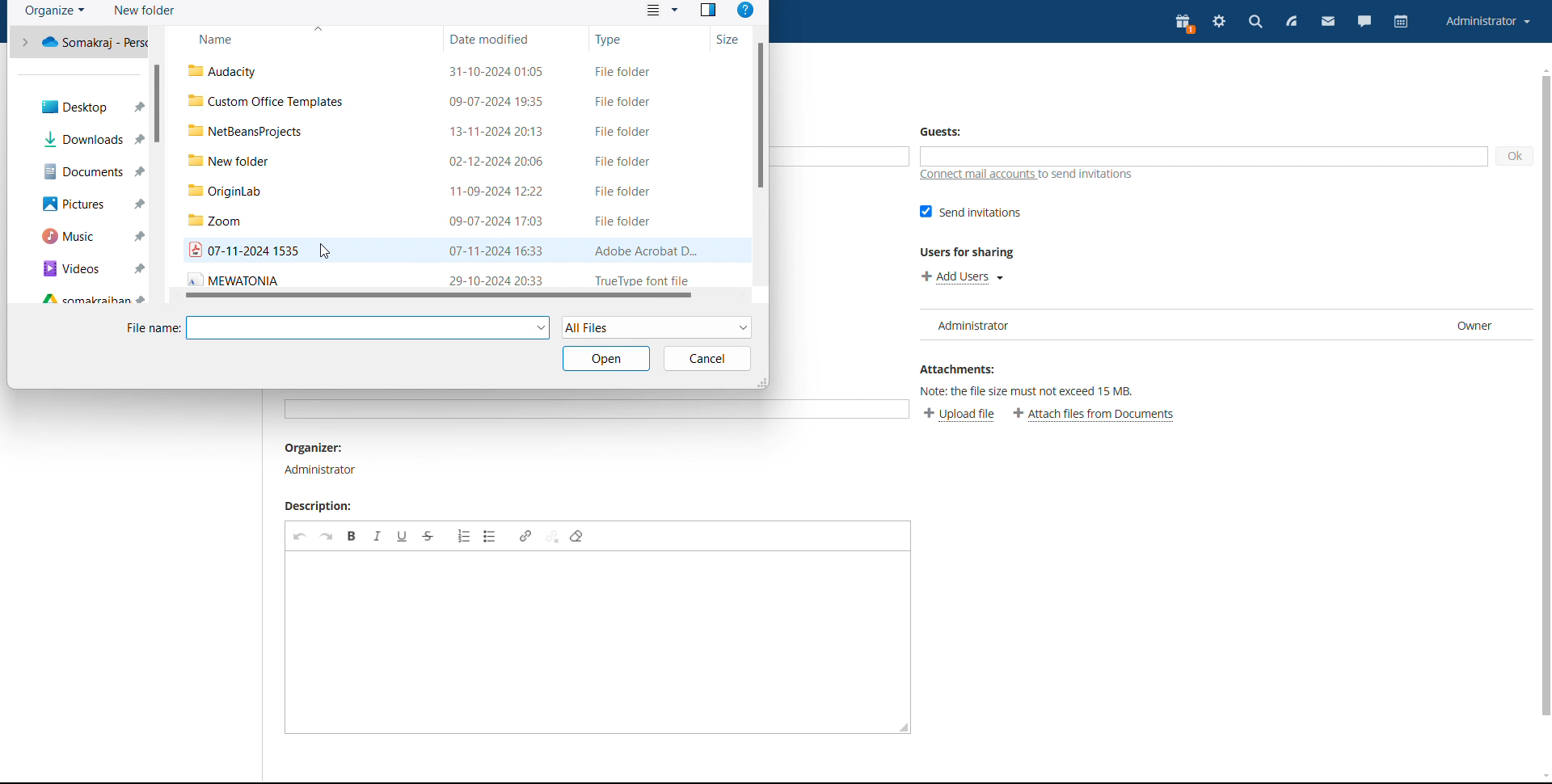 Image resolution: width=1552 pixels, height=784 pixels. I want to click on add users, so click(960, 278).